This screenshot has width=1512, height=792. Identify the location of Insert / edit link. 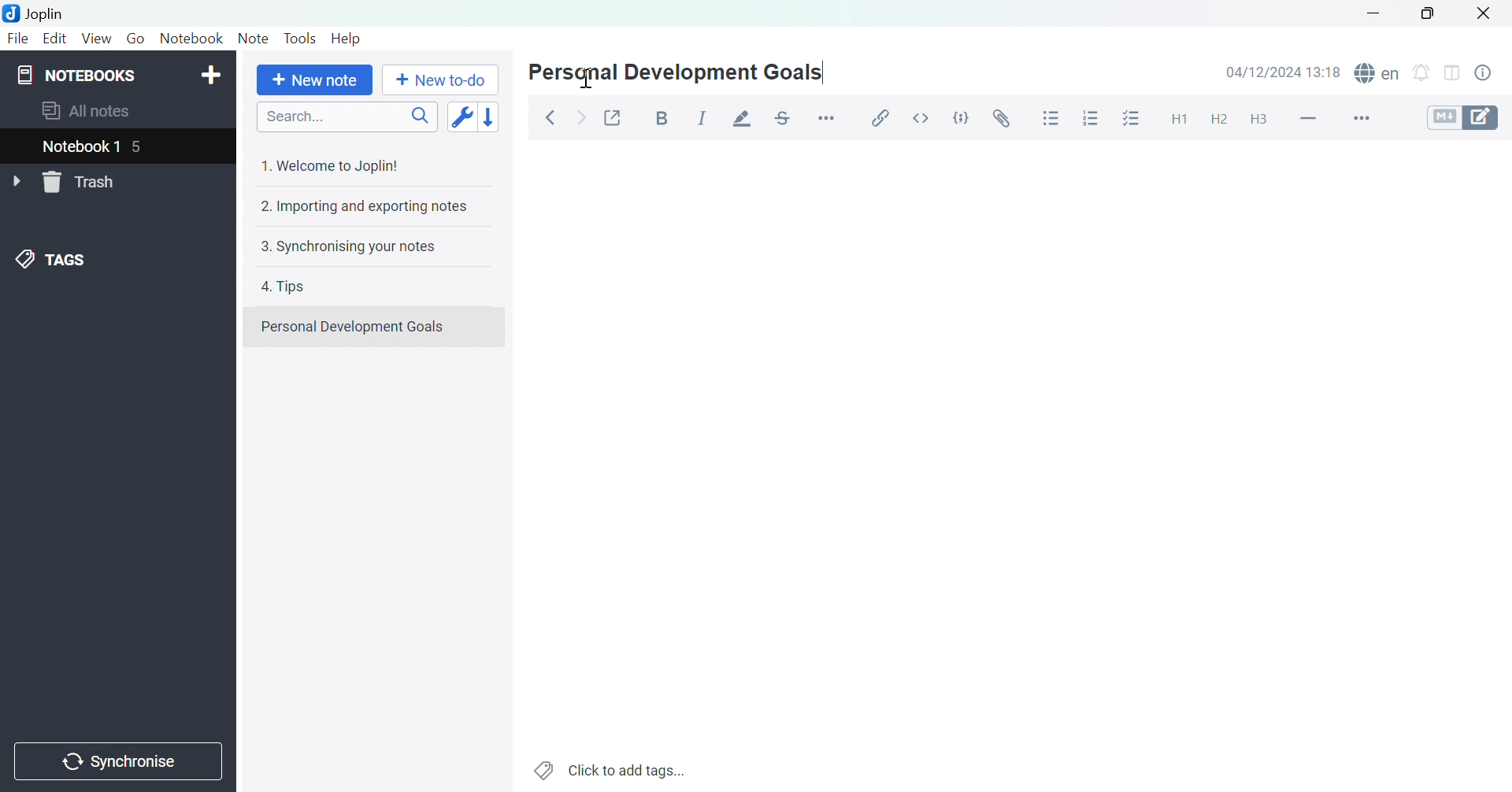
(884, 119).